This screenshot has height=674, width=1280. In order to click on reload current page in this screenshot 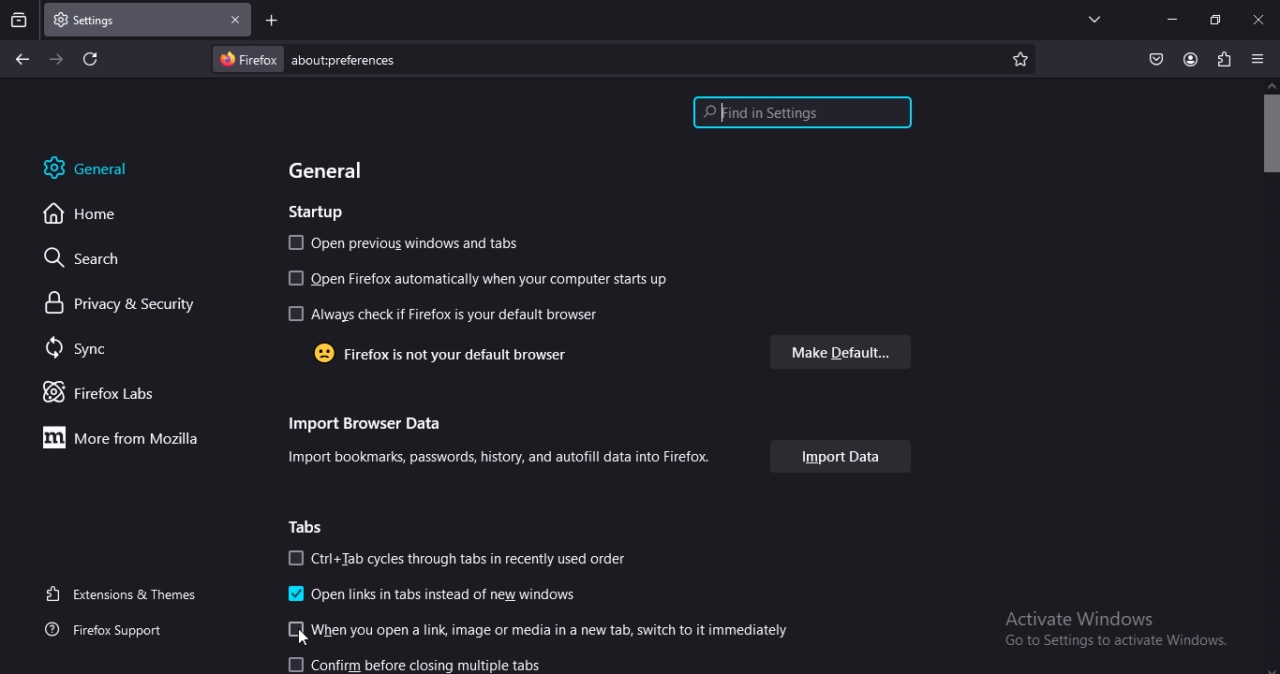, I will do `click(89, 59)`.